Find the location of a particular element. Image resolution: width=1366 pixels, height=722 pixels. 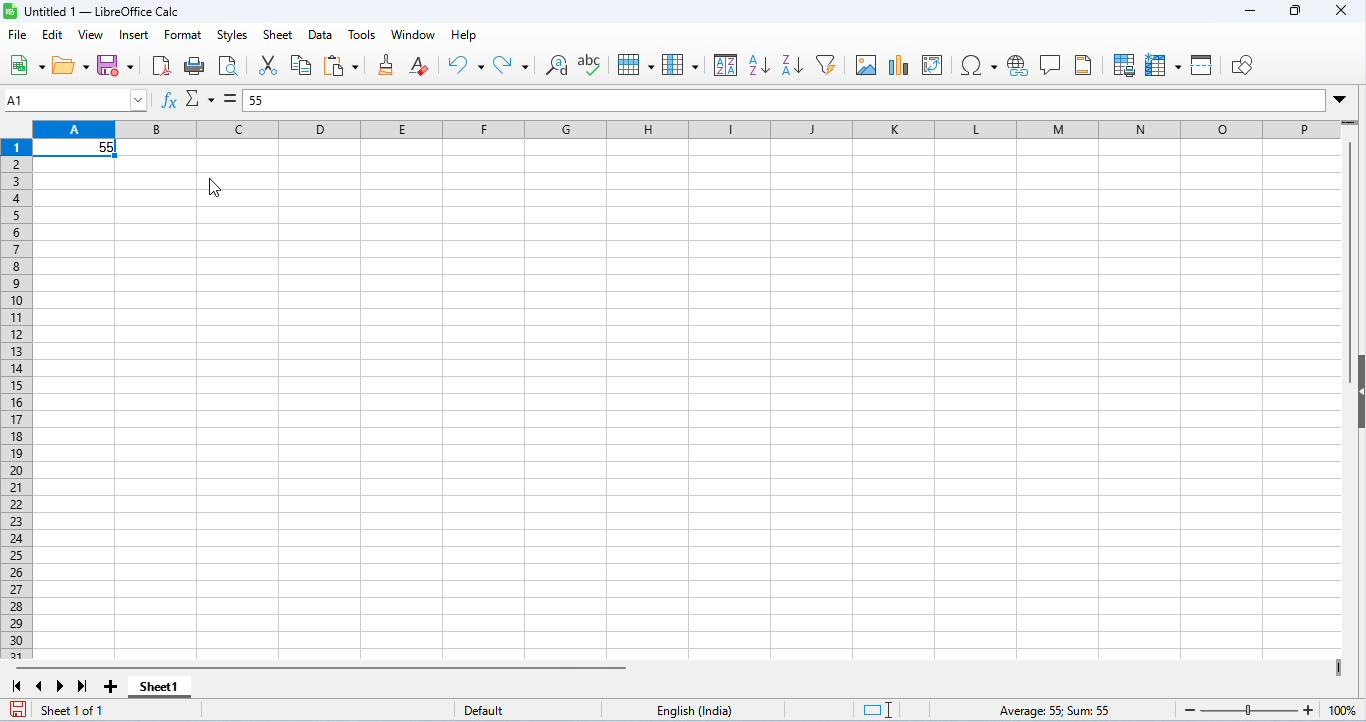

header and footer is located at coordinates (1084, 67).